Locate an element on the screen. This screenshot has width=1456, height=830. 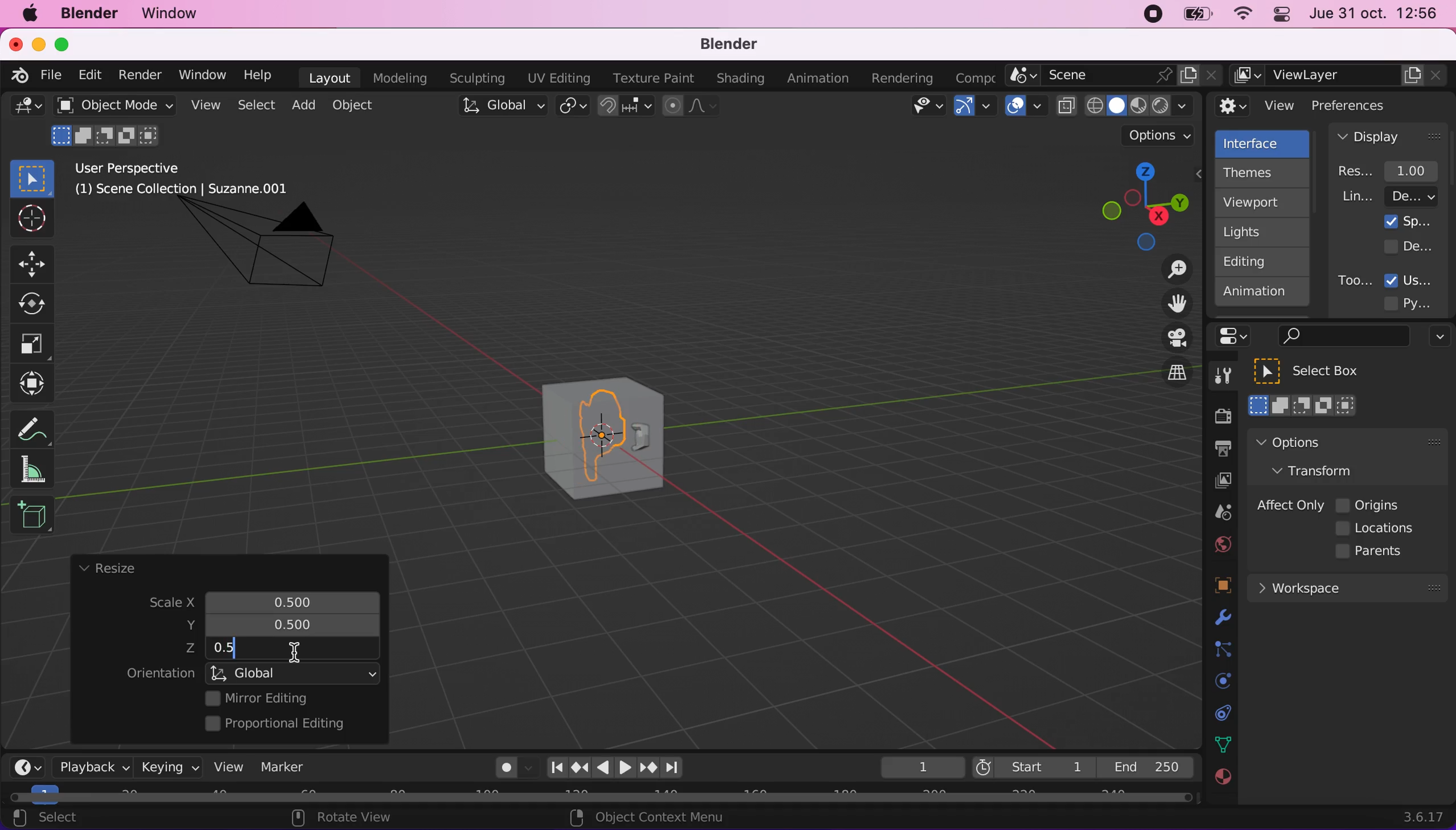
themes is located at coordinates (1261, 173).